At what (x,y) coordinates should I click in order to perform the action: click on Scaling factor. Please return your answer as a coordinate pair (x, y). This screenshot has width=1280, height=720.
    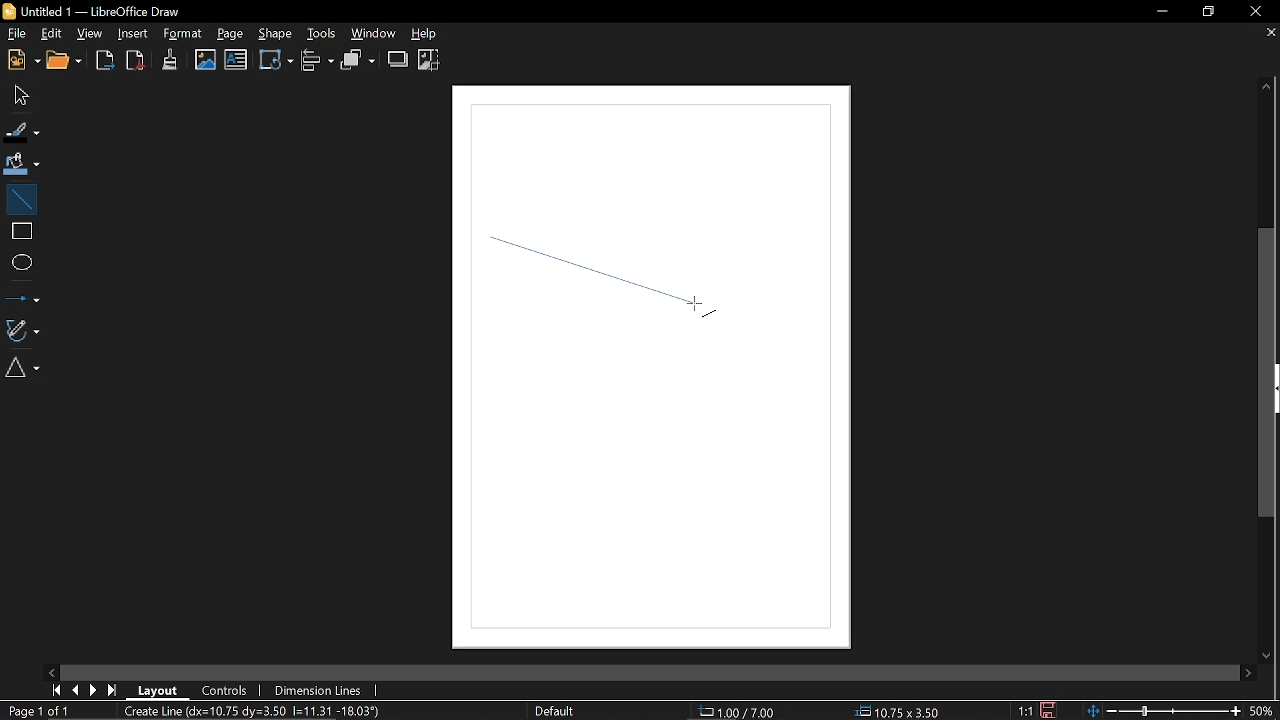
    Looking at the image, I should click on (1024, 711).